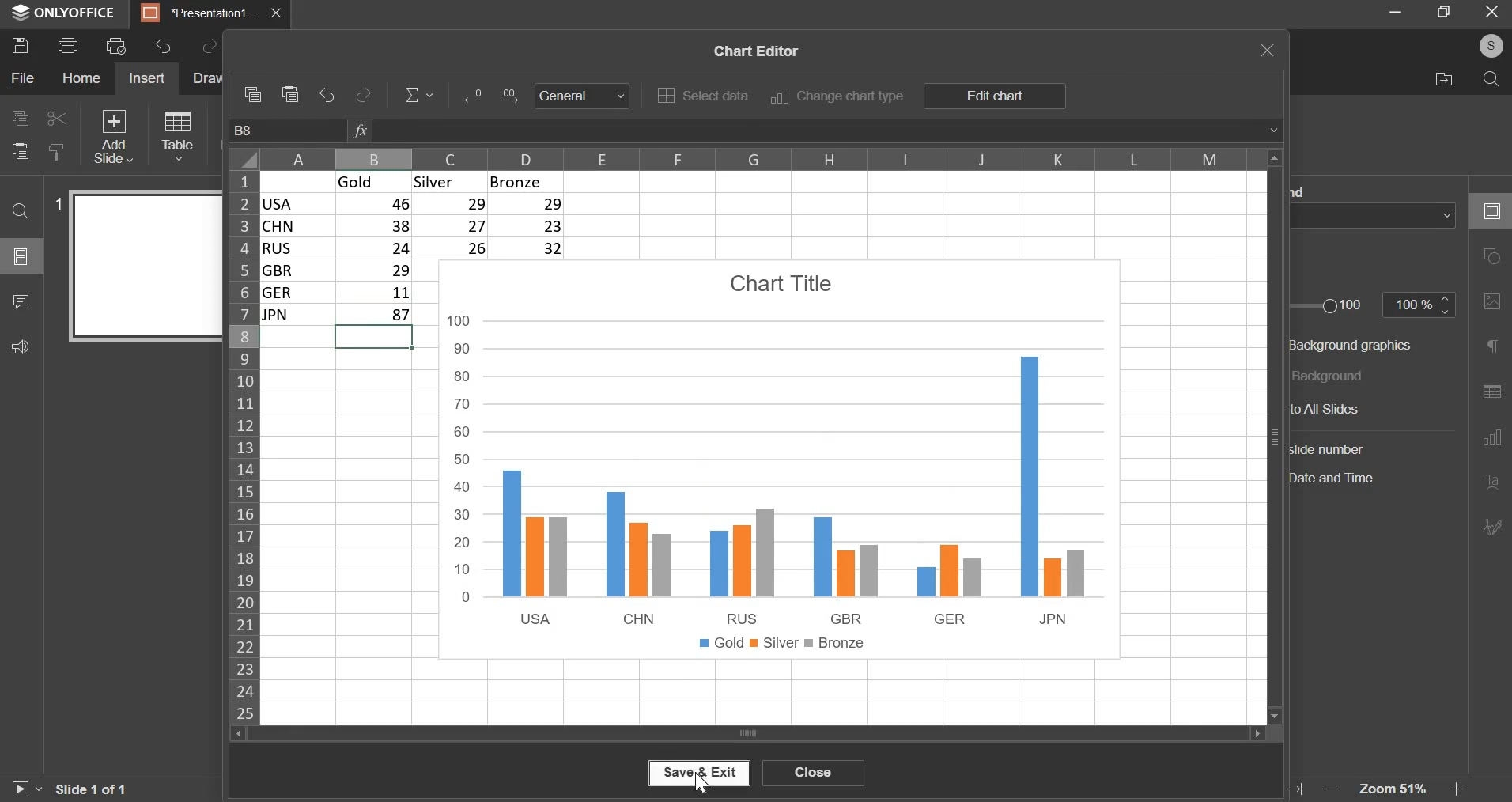 Image resolution: width=1512 pixels, height=802 pixels. Describe the element at coordinates (20, 152) in the screenshot. I see `paste` at that location.